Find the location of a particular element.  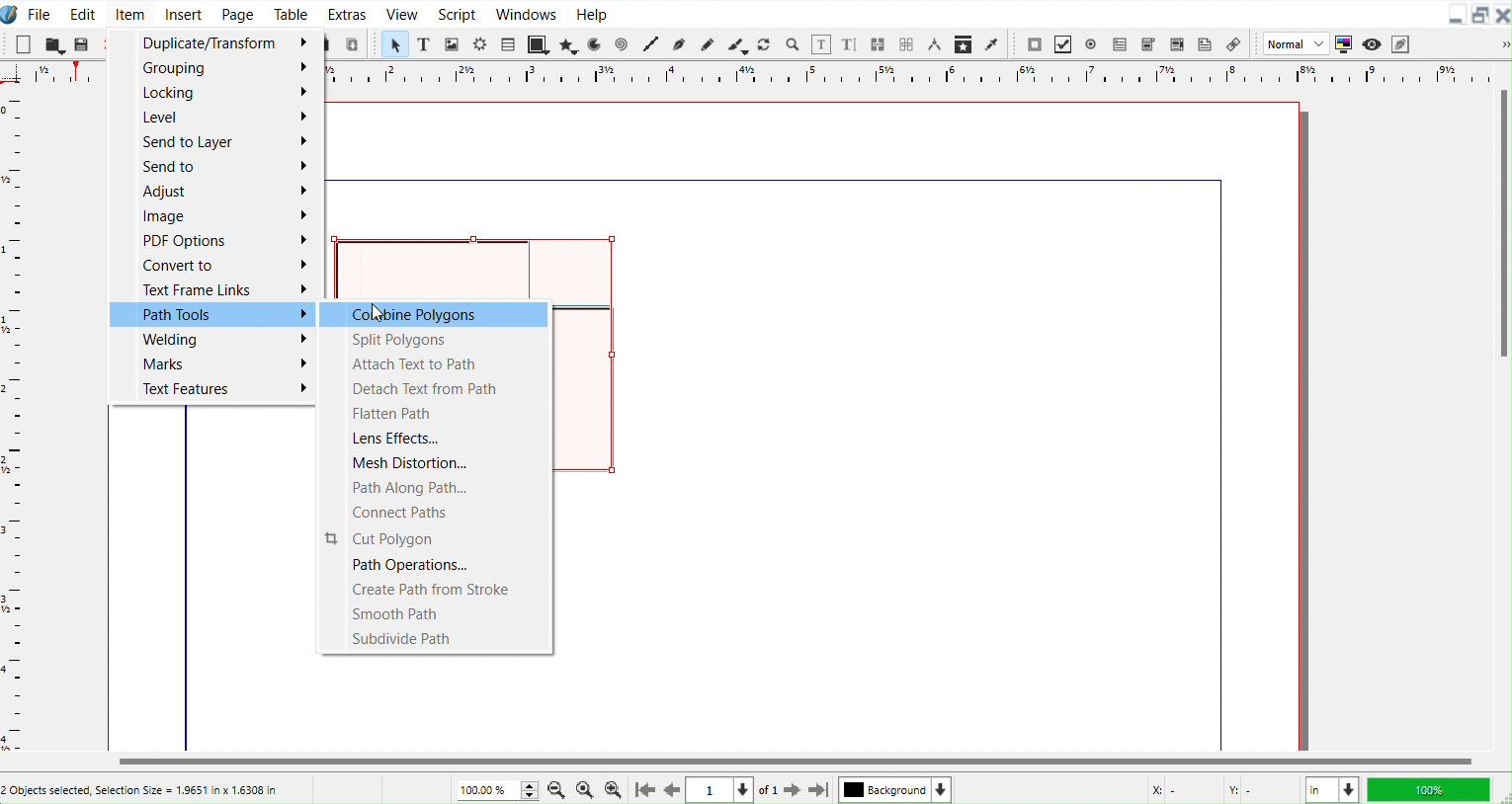

Split Polygon is located at coordinates (430, 338).